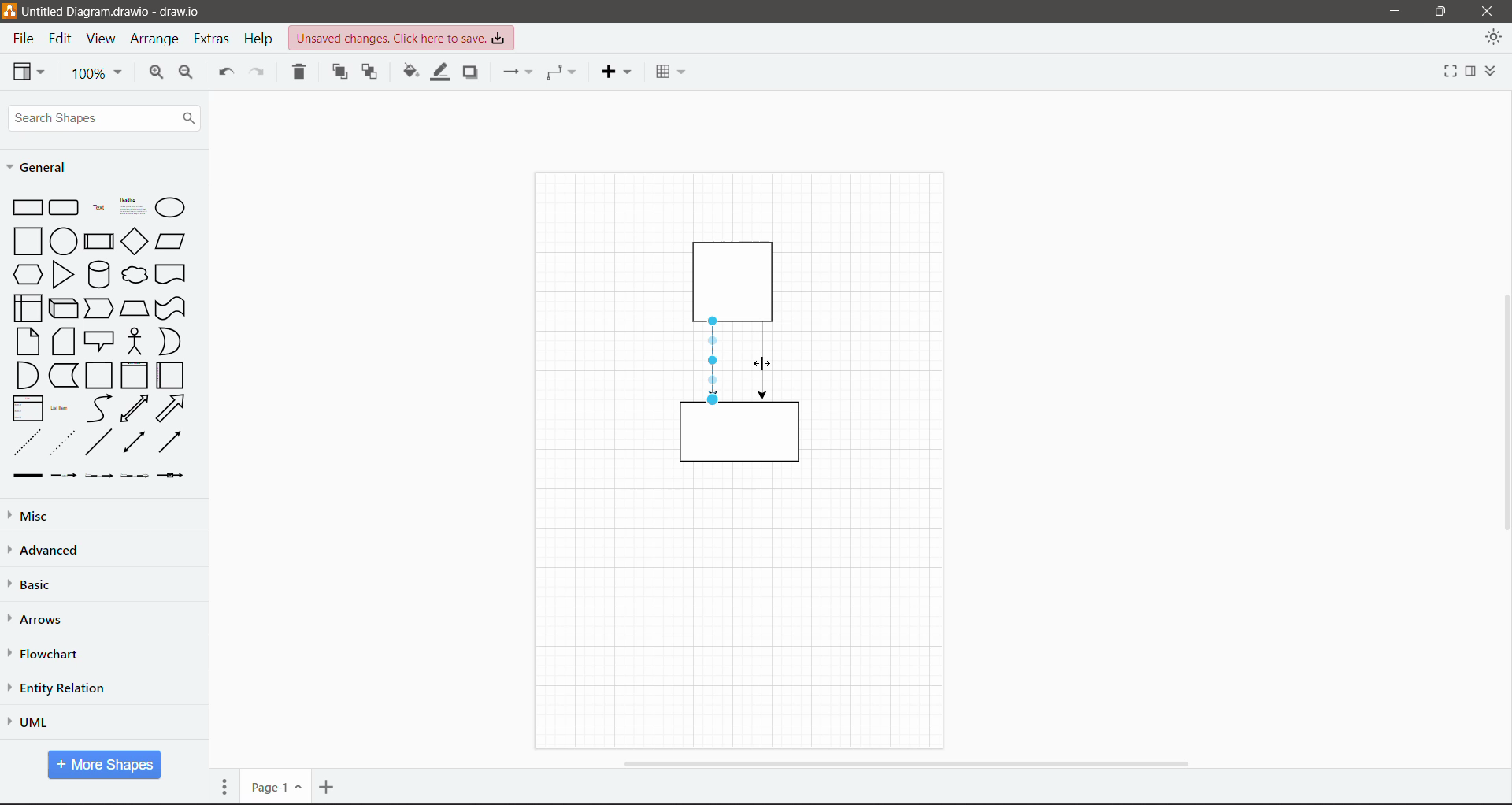 The height and width of the screenshot is (805, 1512). What do you see at coordinates (27, 206) in the screenshot?
I see `Rectangle` at bounding box center [27, 206].